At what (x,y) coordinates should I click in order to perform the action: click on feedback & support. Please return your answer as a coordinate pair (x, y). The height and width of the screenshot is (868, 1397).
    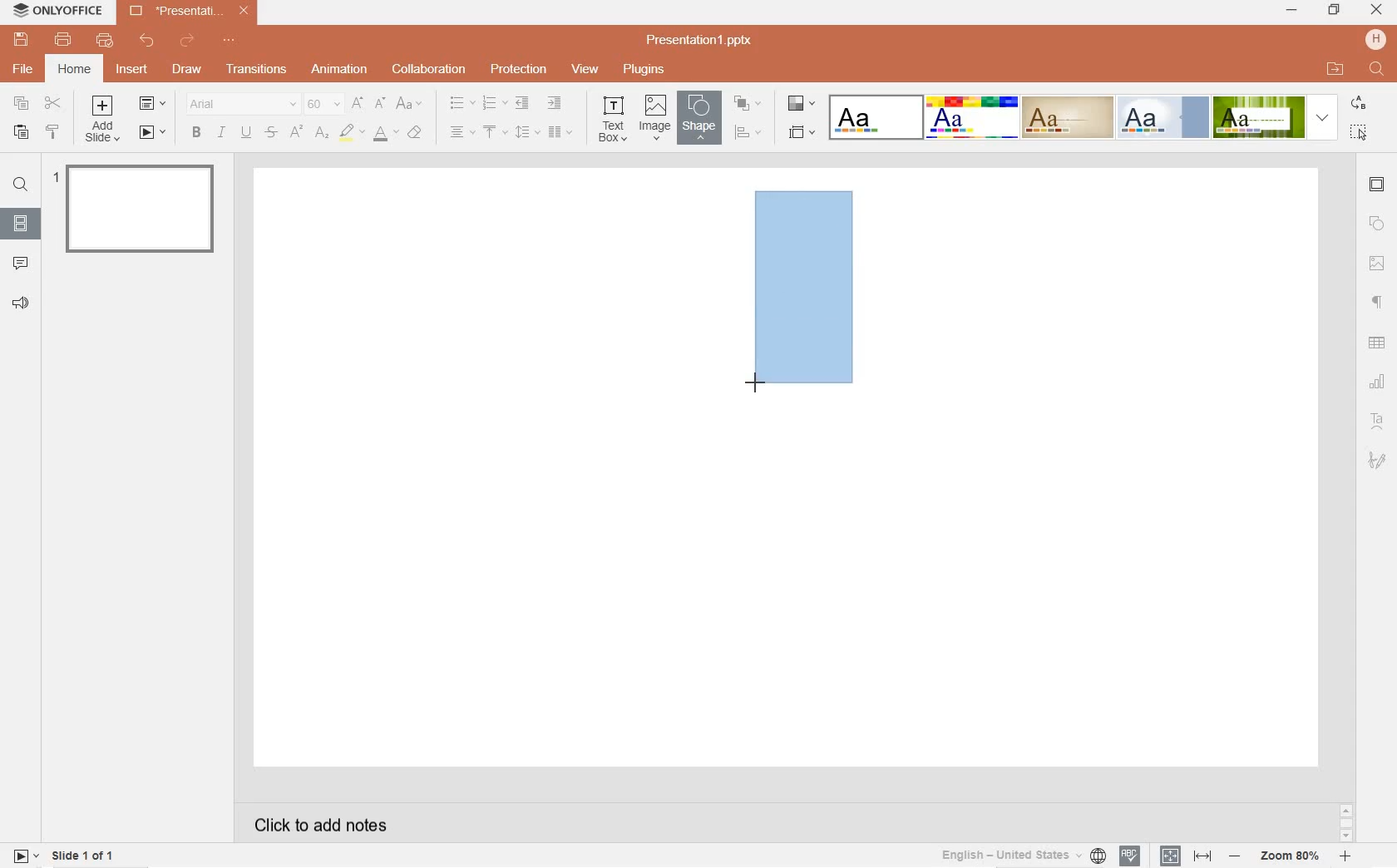
    Looking at the image, I should click on (20, 303).